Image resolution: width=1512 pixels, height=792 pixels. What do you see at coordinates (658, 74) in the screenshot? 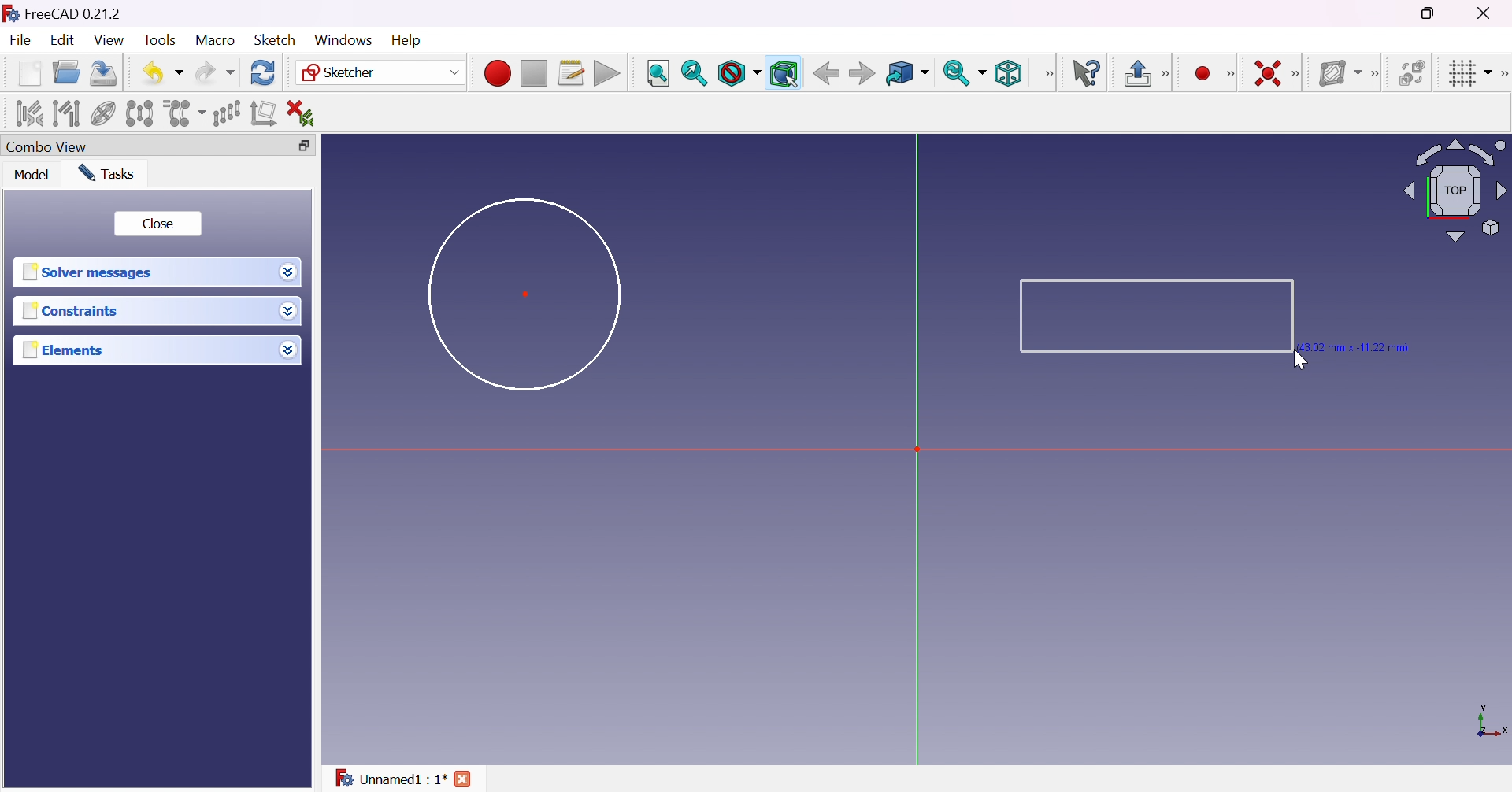
I see `Fit all` at bounding box center [658, 74].